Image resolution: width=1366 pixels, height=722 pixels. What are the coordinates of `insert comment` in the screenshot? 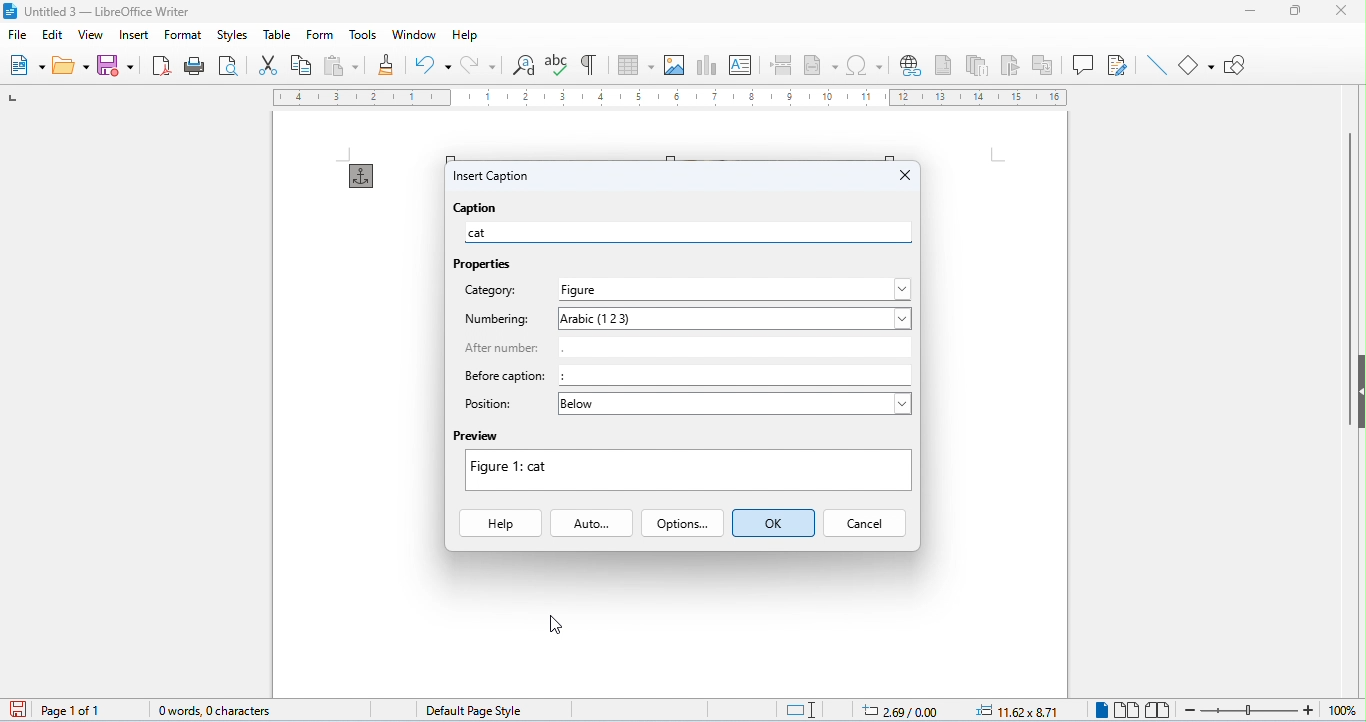 It's located at (1084, 64).